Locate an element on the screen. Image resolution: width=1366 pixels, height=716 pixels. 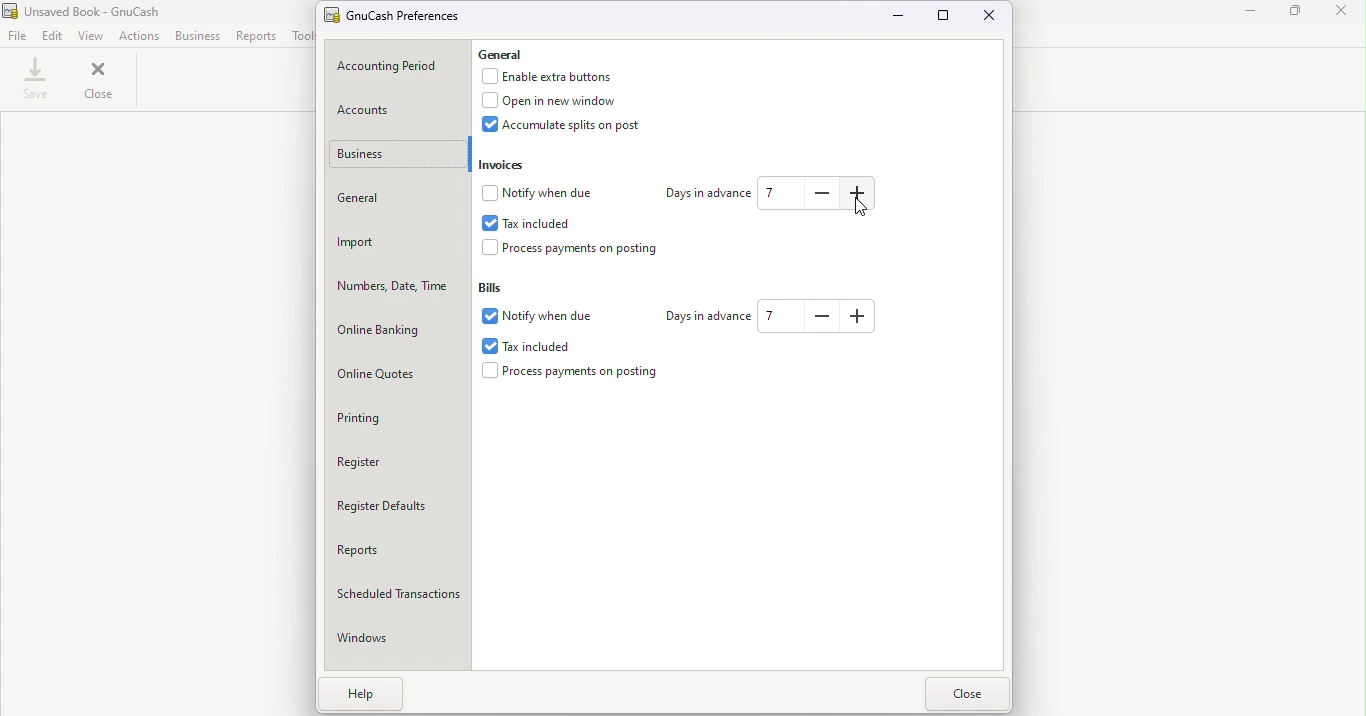
Close is located at coordinates (98, 83).